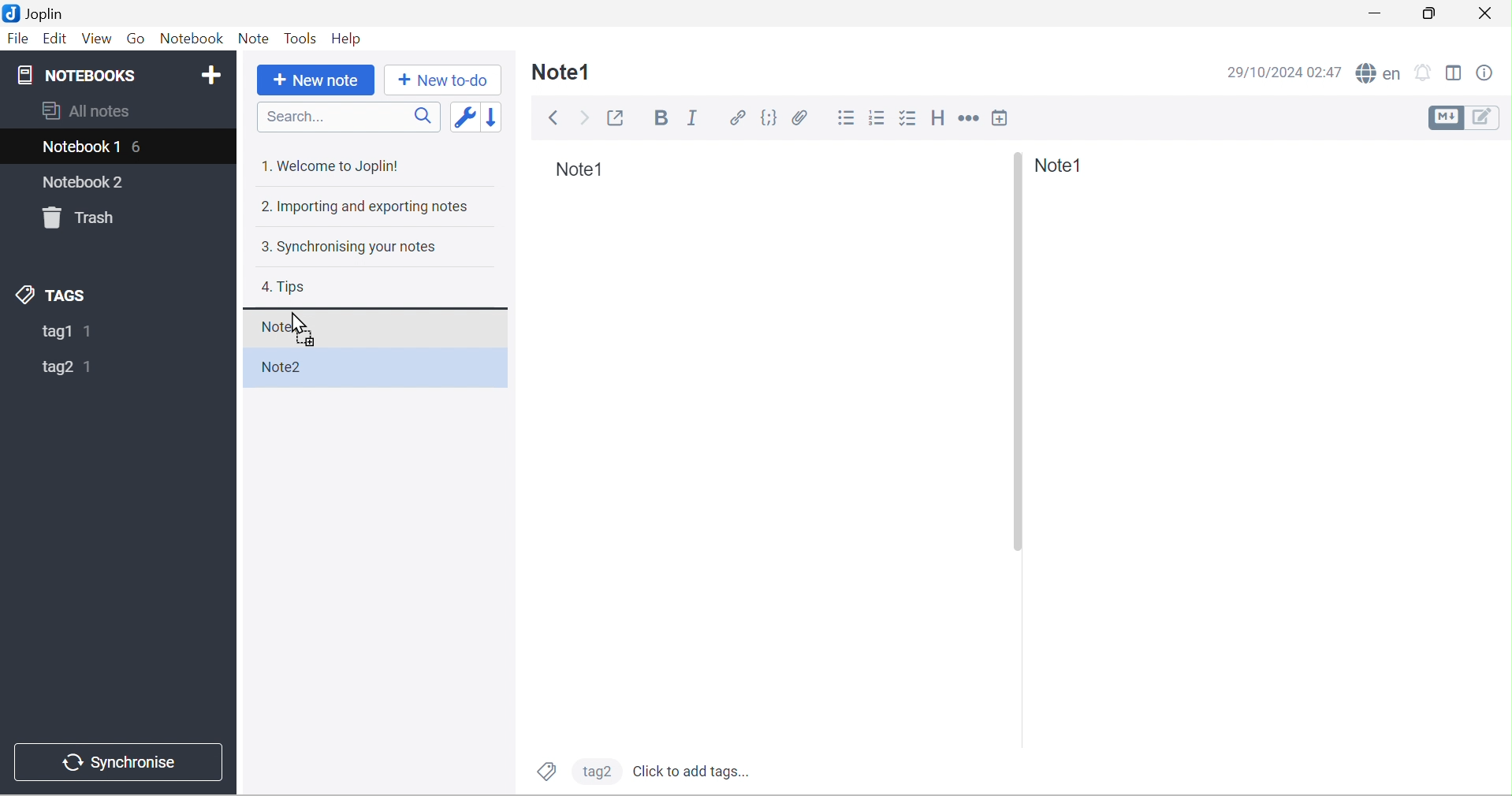 The image size is (1512, 796). I want to click on Search icon, so click(422, 117).